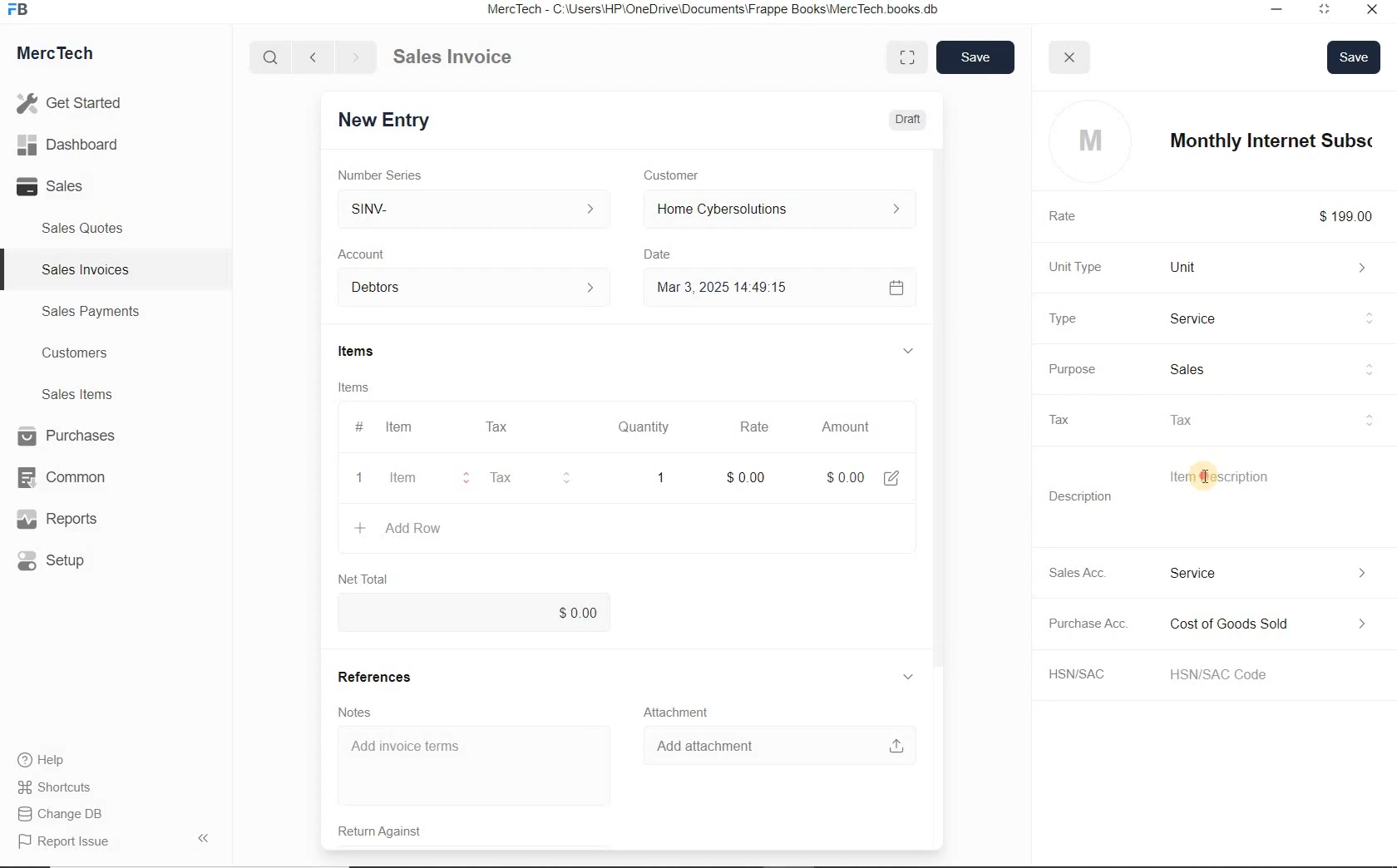  What do you see at coordinates (407, 480) in the screenshot?
I see `item` at bounding box center [407, 480].